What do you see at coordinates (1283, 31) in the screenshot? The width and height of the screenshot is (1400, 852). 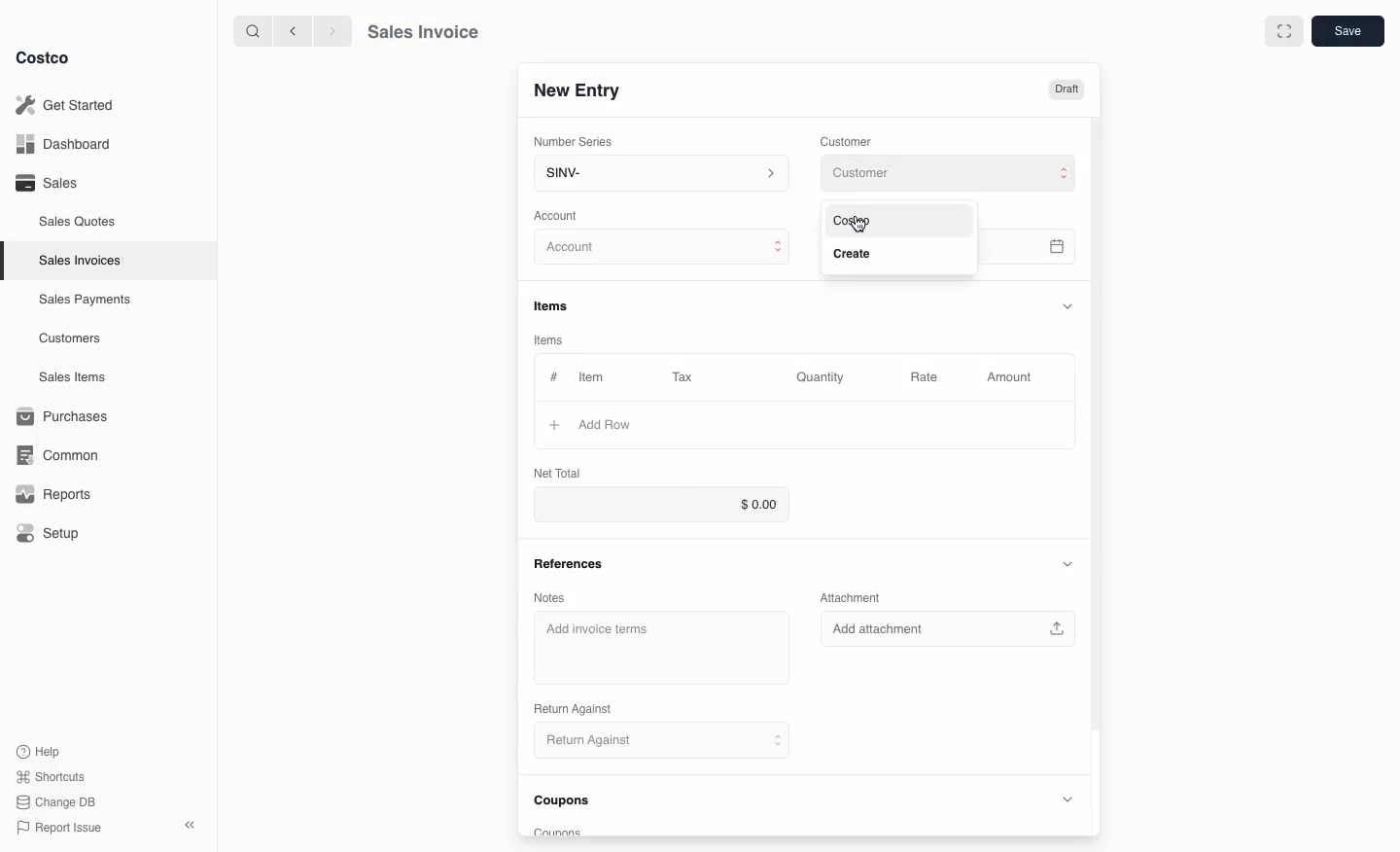 I see `Full width toggle` at bounding box center [1283, 31].